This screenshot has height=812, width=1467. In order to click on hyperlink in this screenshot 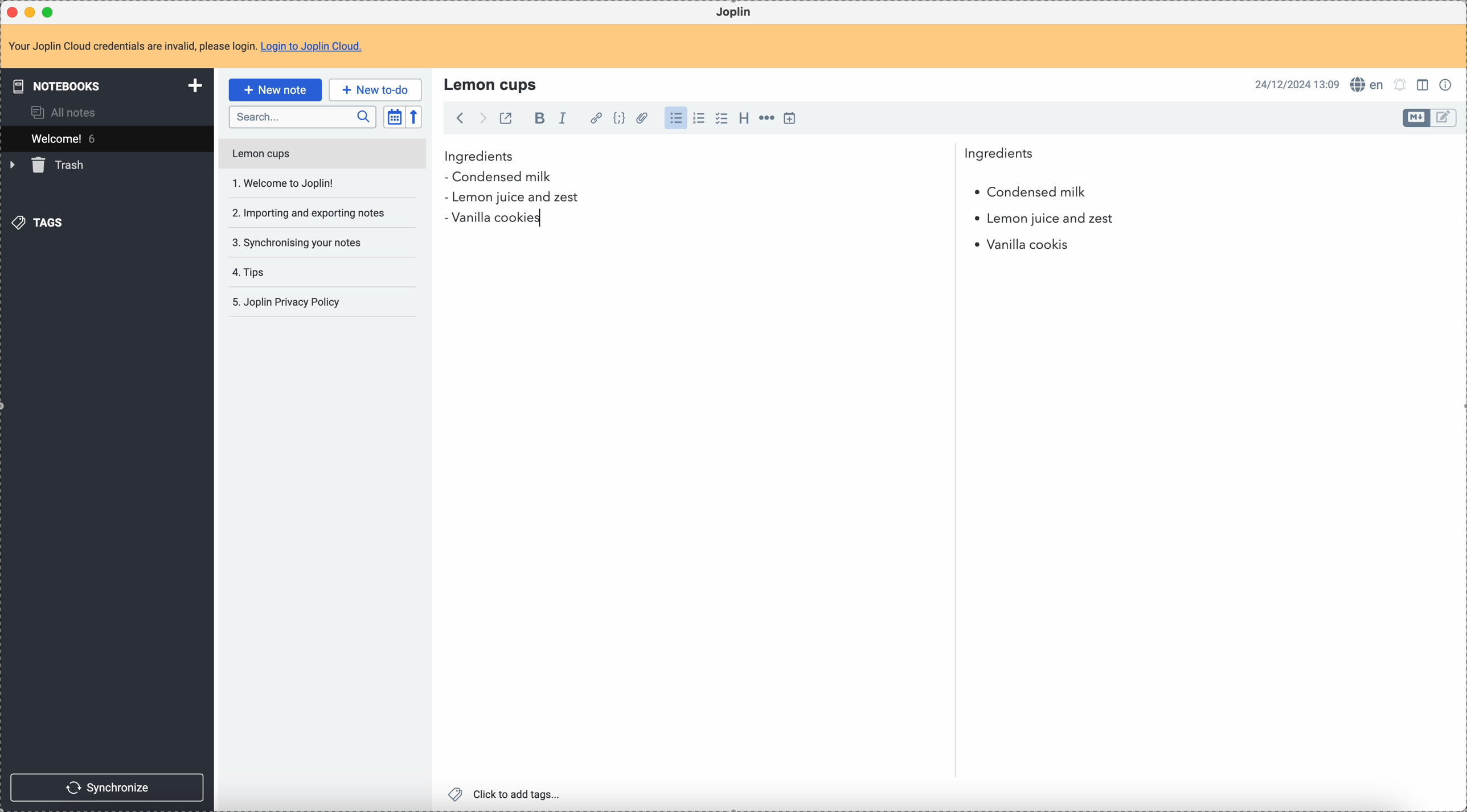, I will do `click(594, 119)`.